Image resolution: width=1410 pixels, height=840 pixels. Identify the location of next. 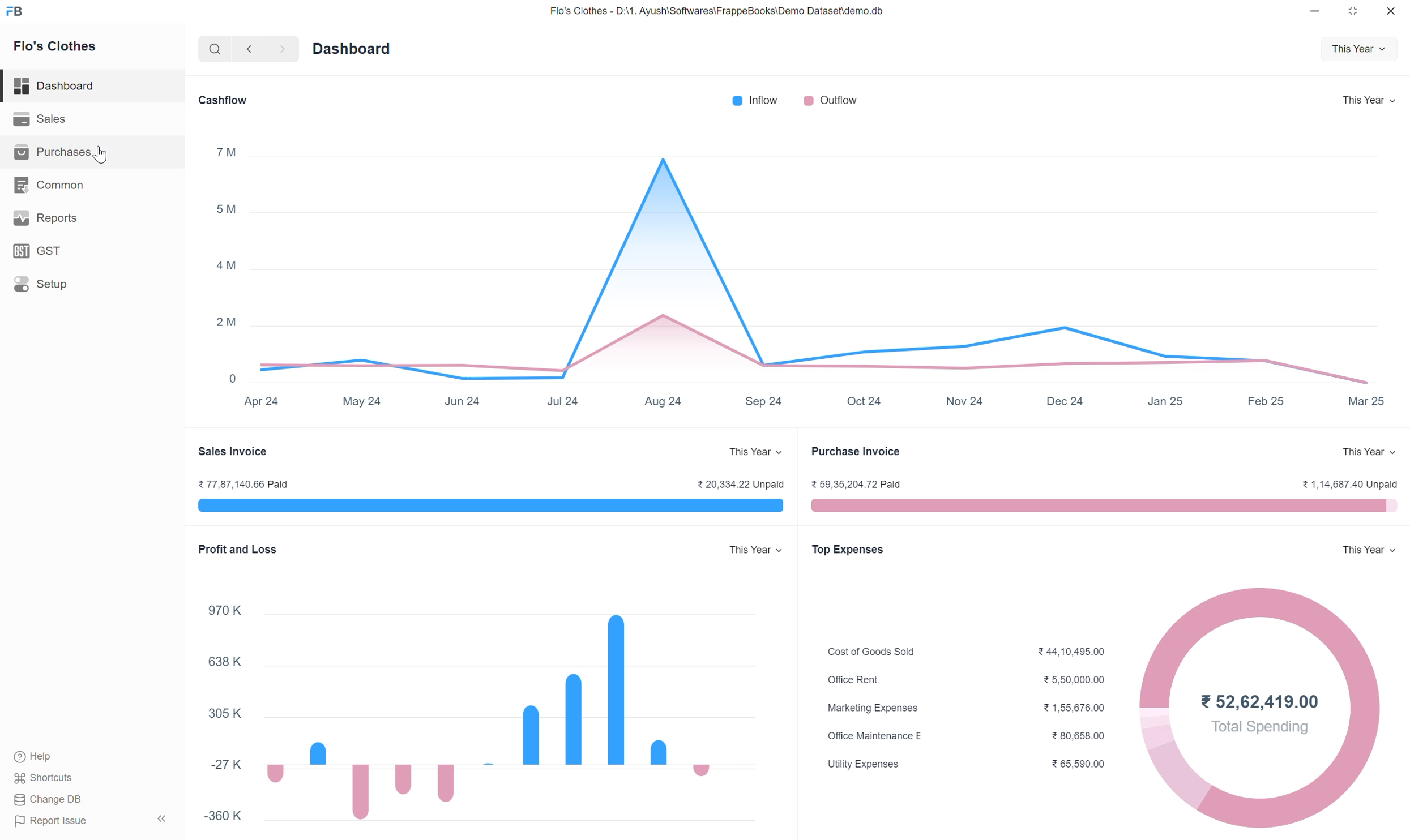
(284, 49).